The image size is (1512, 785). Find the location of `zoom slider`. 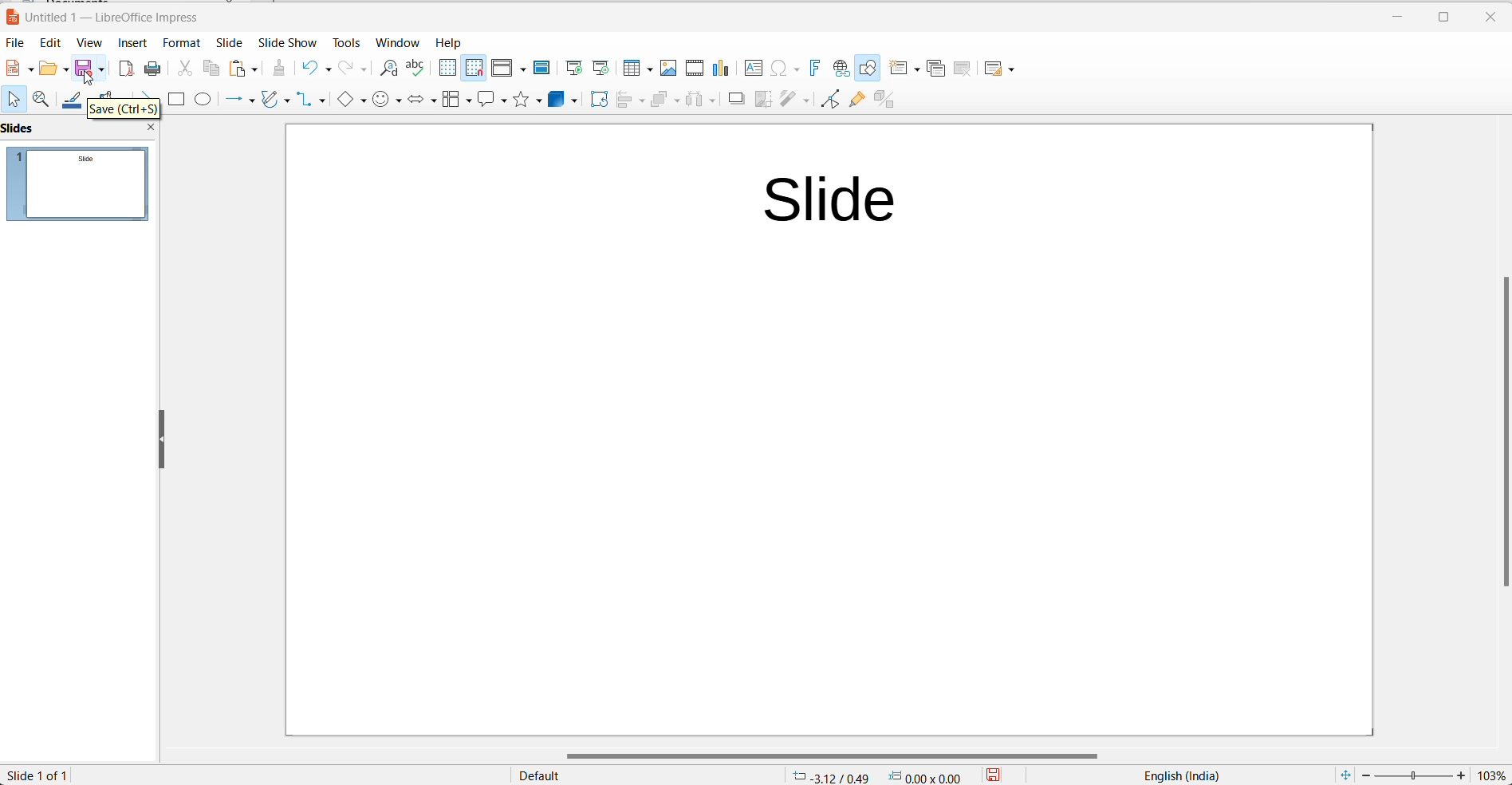

zoom slider is located at coordinates (1414, 775).